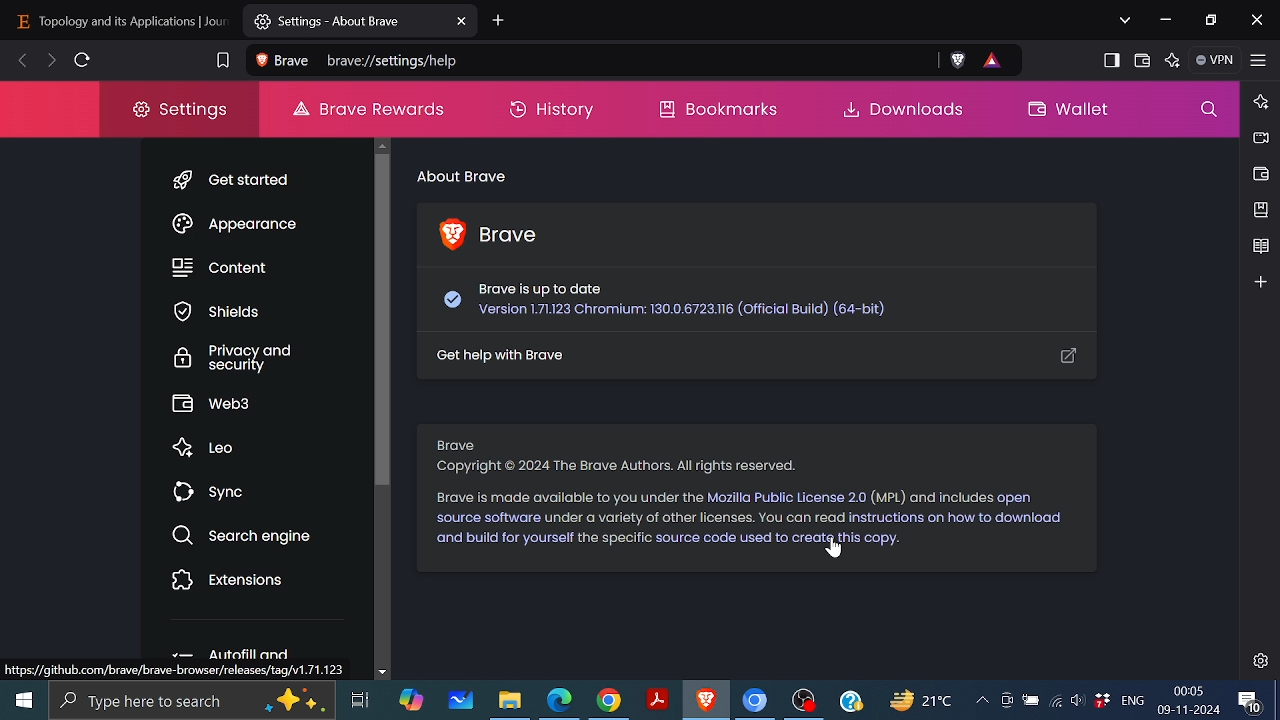 The image size is (1280, 720). Describe the element at coordinates (1250, 701) in the screenshot. I see `Notifications` at that location.